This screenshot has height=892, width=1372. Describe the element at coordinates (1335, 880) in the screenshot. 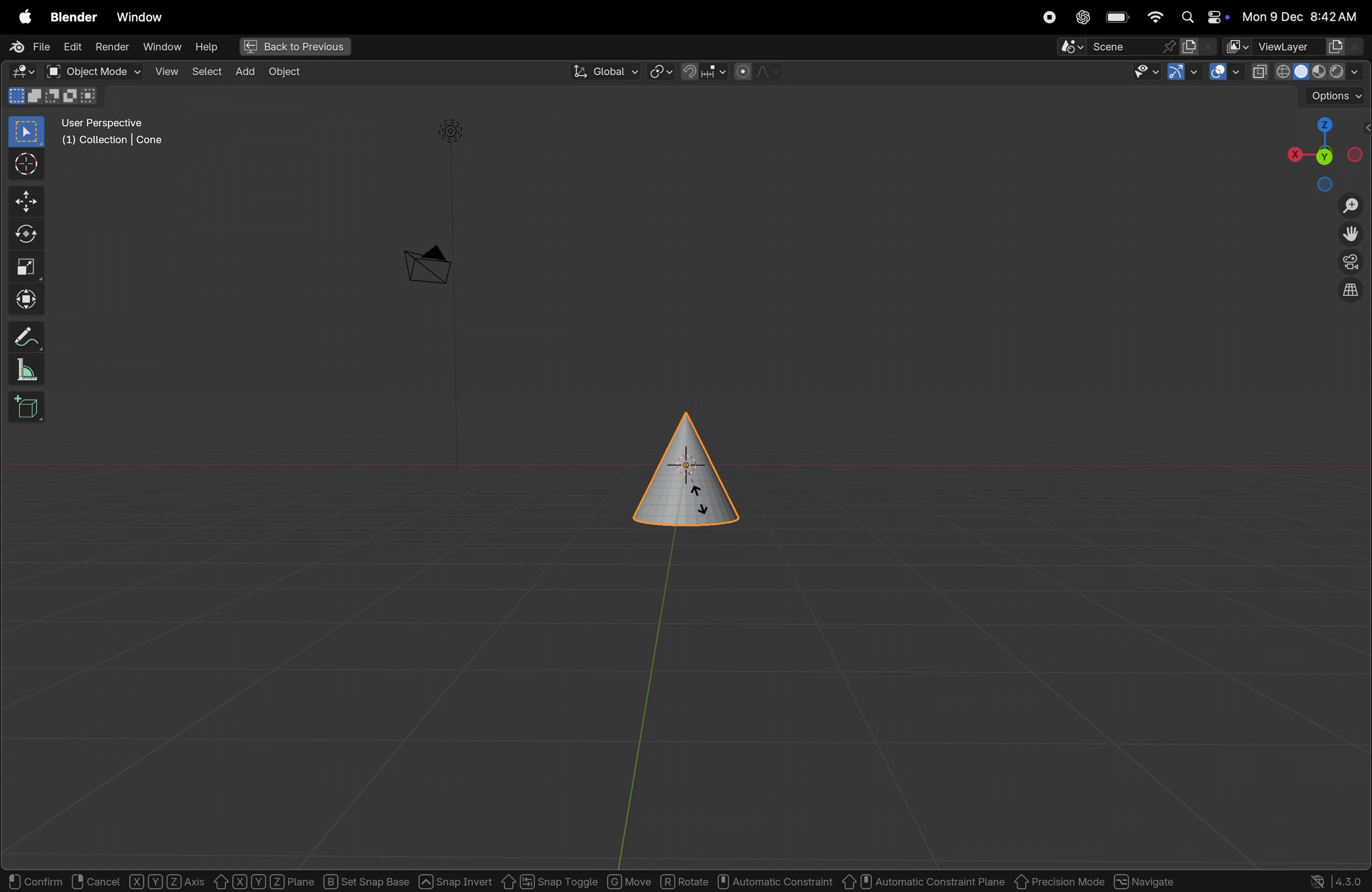

I see `version` at that location.